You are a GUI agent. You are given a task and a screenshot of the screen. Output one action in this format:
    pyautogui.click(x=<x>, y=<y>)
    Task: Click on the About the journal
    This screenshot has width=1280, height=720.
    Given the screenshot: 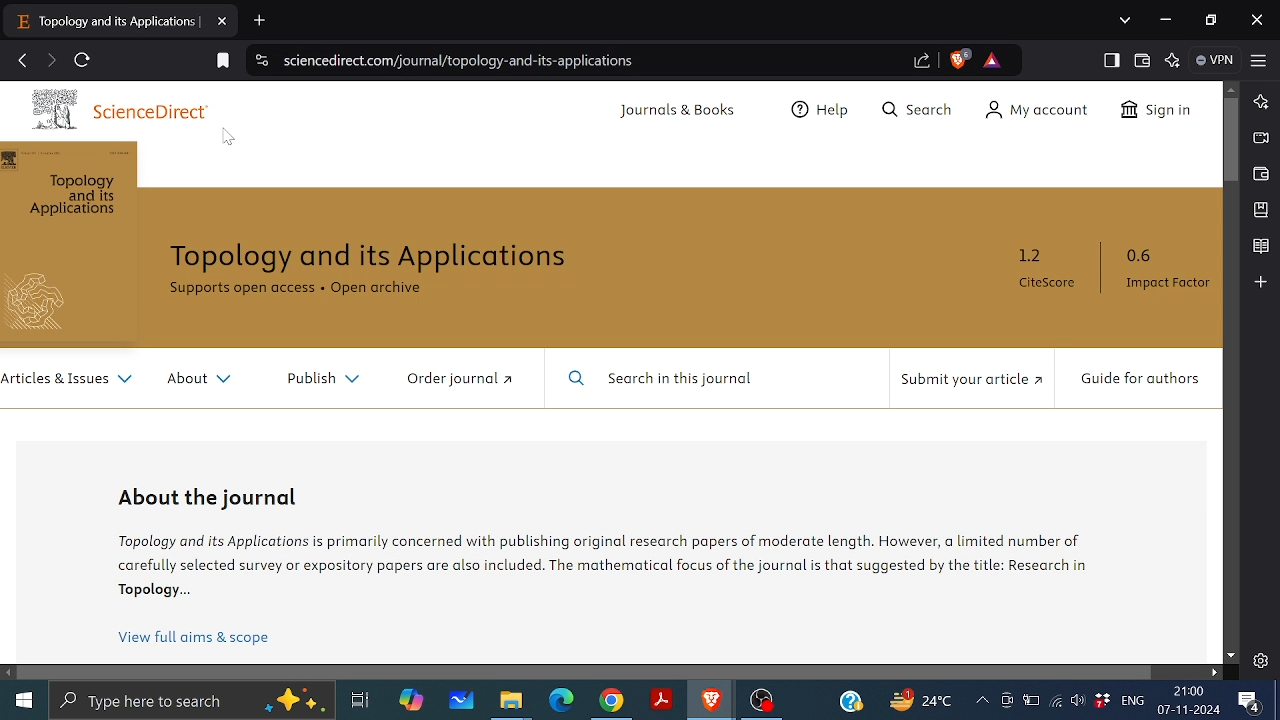 What is the action you would take?
    pyautogui.click(x=208, y=500)
    